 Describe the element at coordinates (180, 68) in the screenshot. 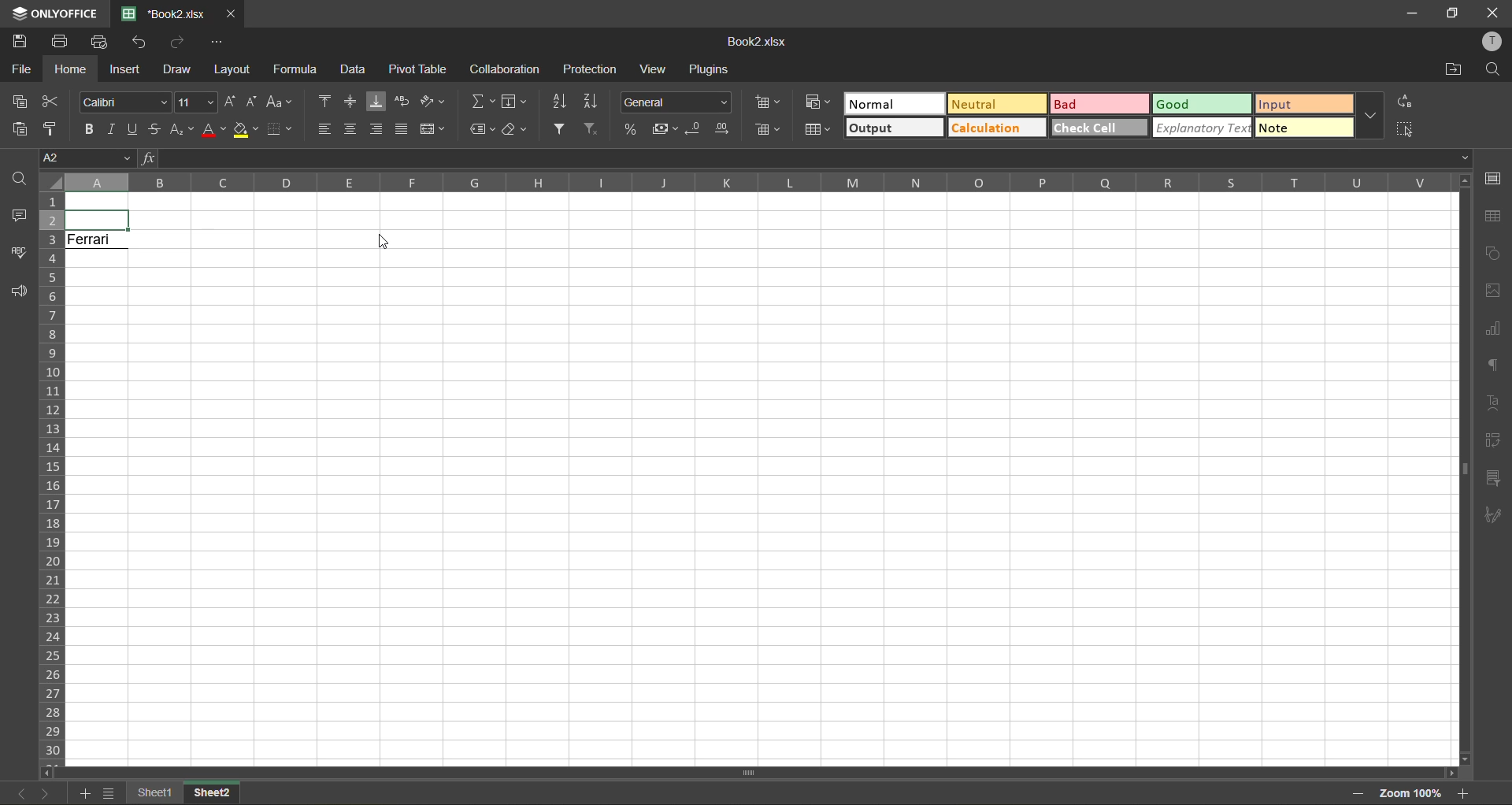

I see `draw` at that location.